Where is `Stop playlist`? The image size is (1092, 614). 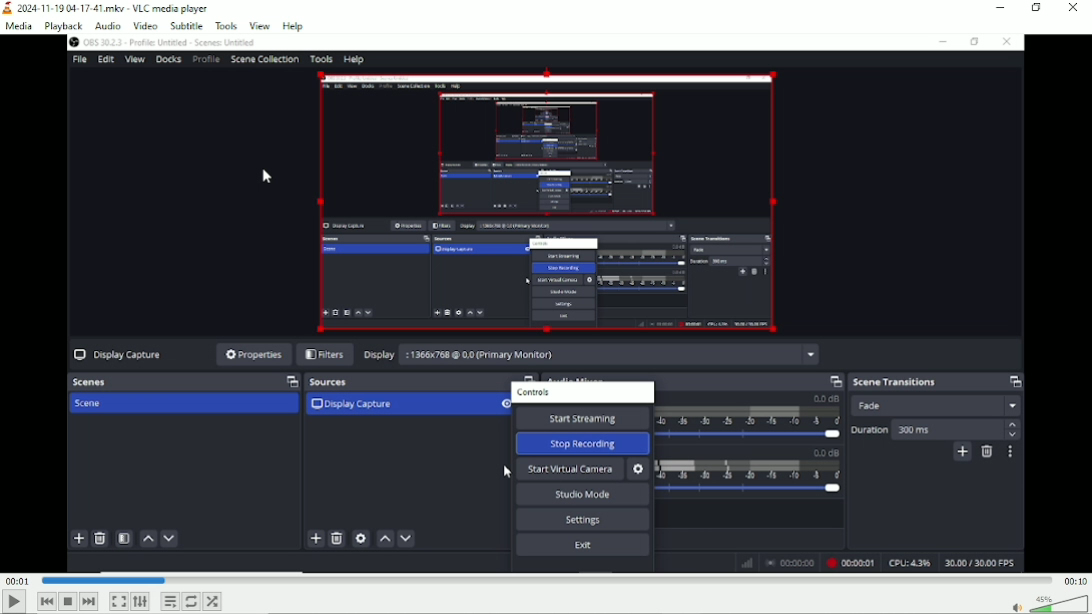 Stop playlist is located at coordinates (70, 602).